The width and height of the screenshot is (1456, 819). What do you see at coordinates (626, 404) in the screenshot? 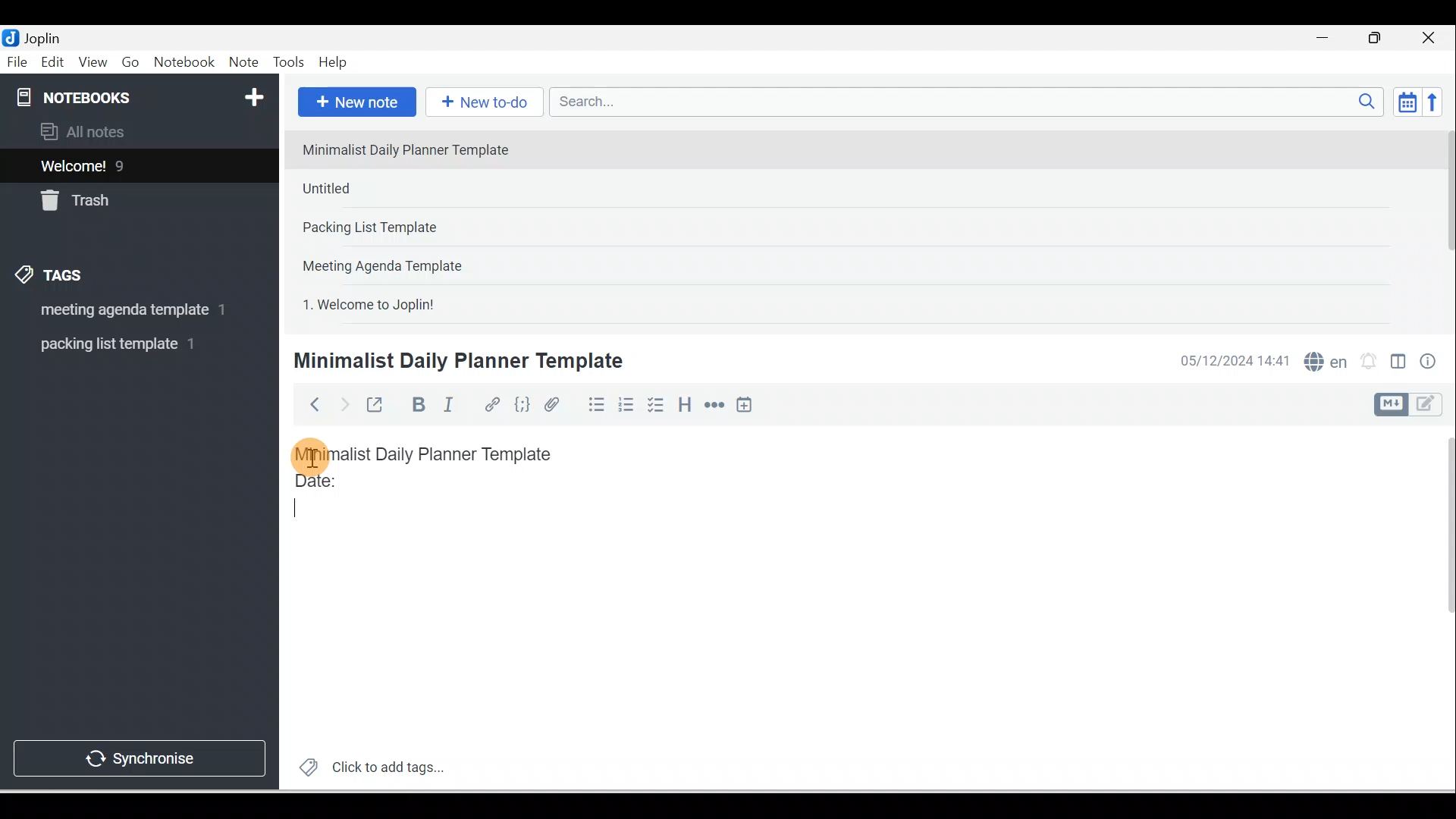
I see `Numbered list` at bounding box center [626, 404].